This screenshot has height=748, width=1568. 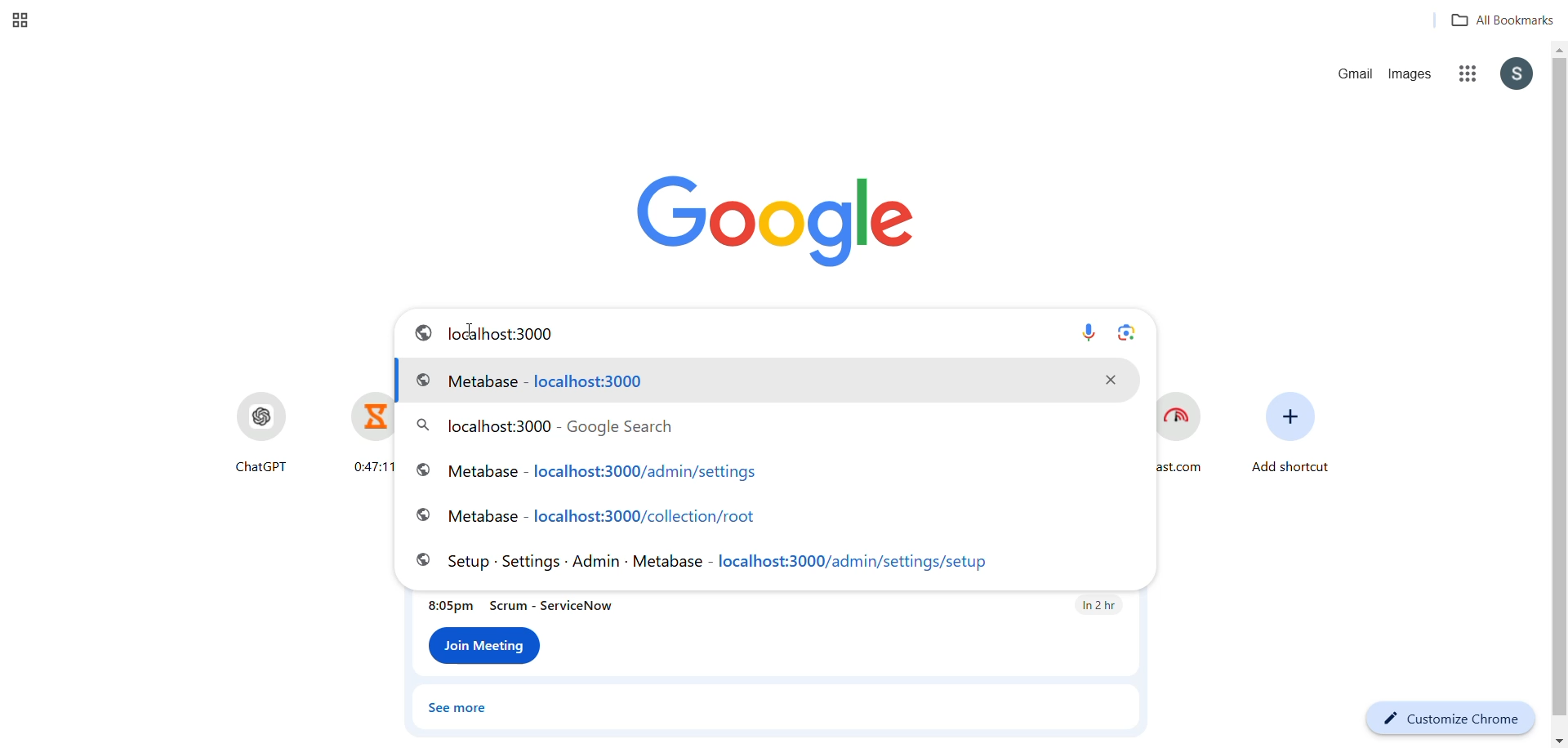 I want to click on google logo, so click(x=777, y=217).